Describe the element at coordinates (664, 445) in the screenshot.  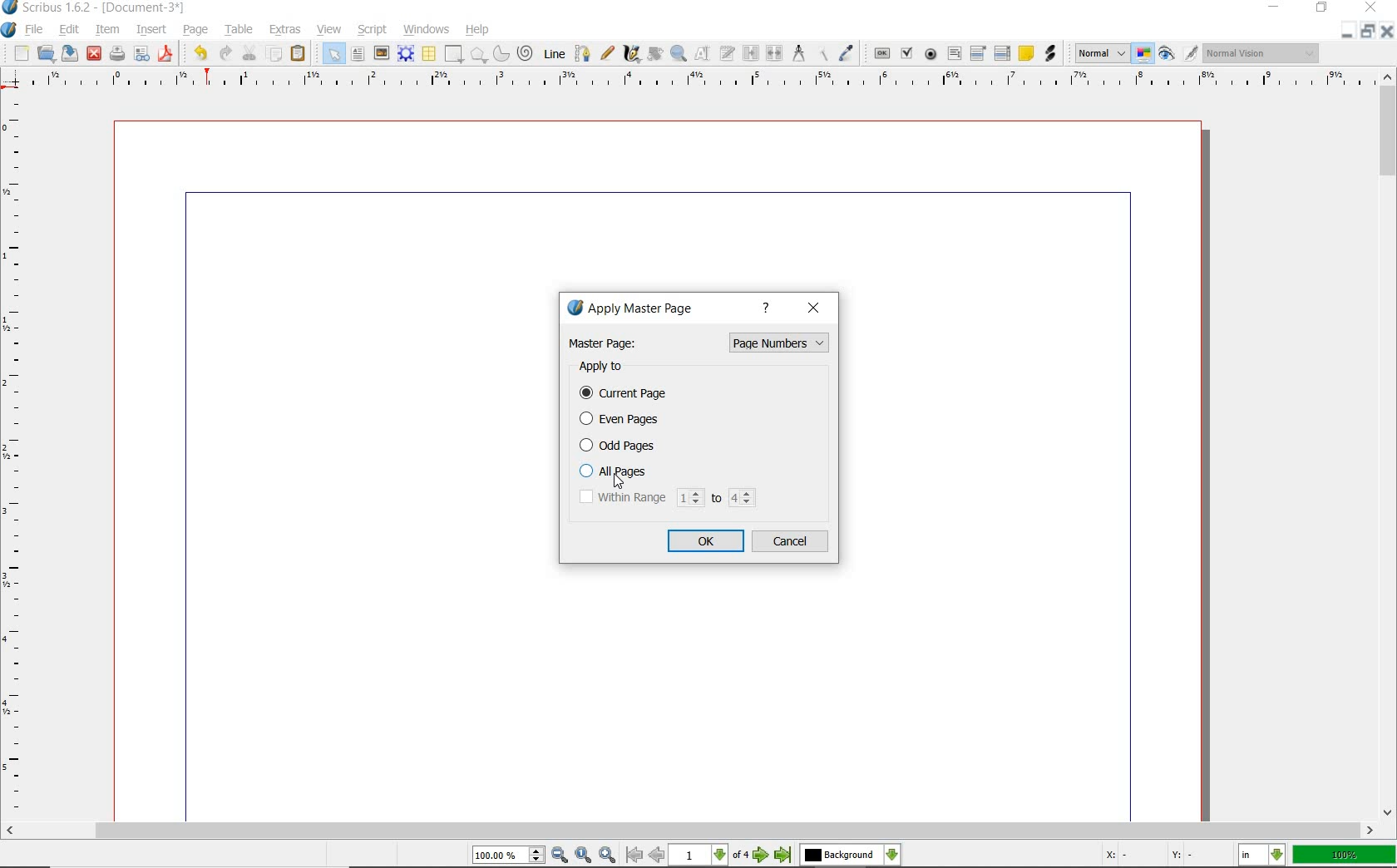
I see `odd pages` at that location.